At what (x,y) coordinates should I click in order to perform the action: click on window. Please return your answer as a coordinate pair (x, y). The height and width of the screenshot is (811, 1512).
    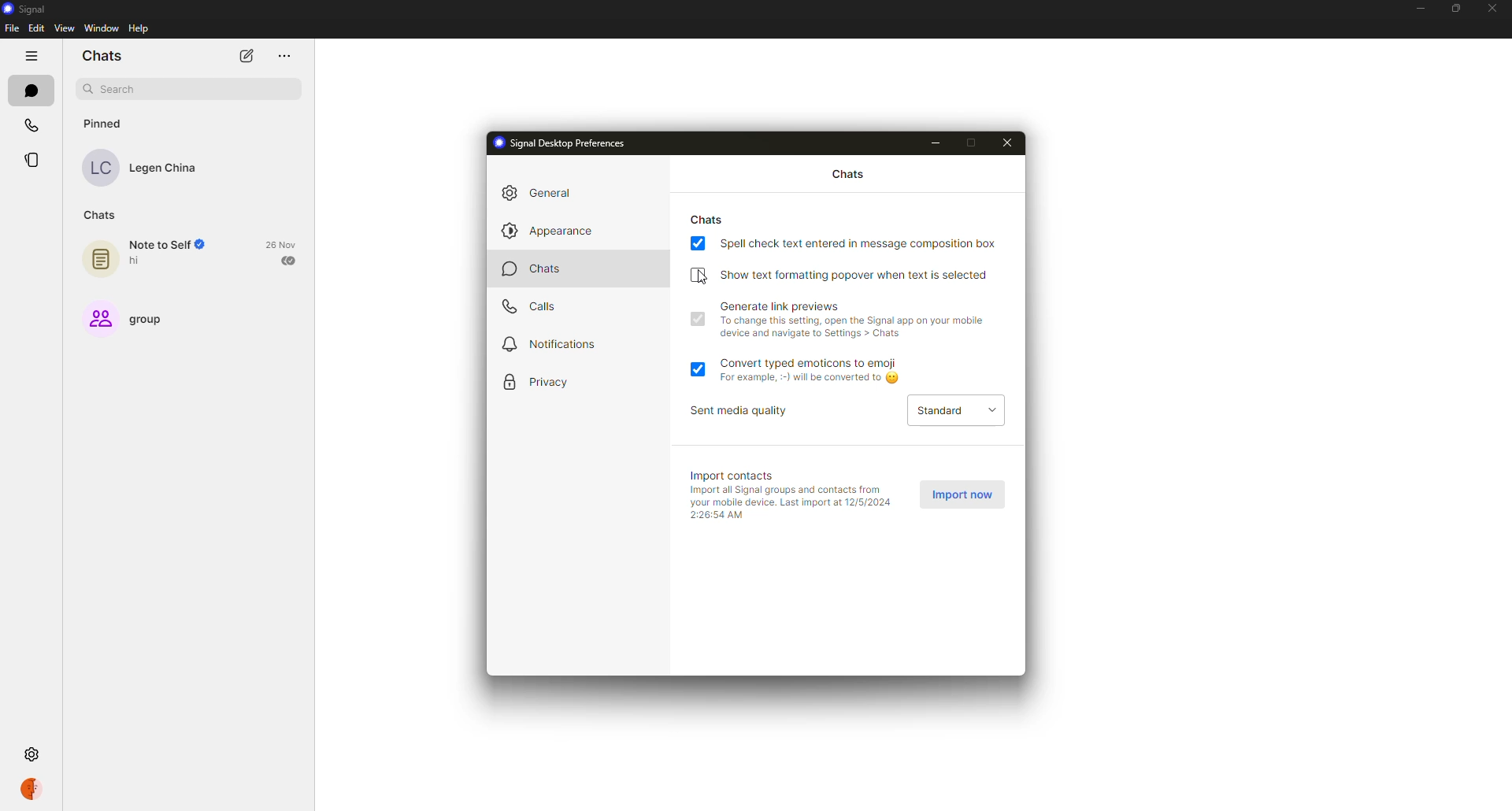
    Looking at the image, I should click on (102, 28).